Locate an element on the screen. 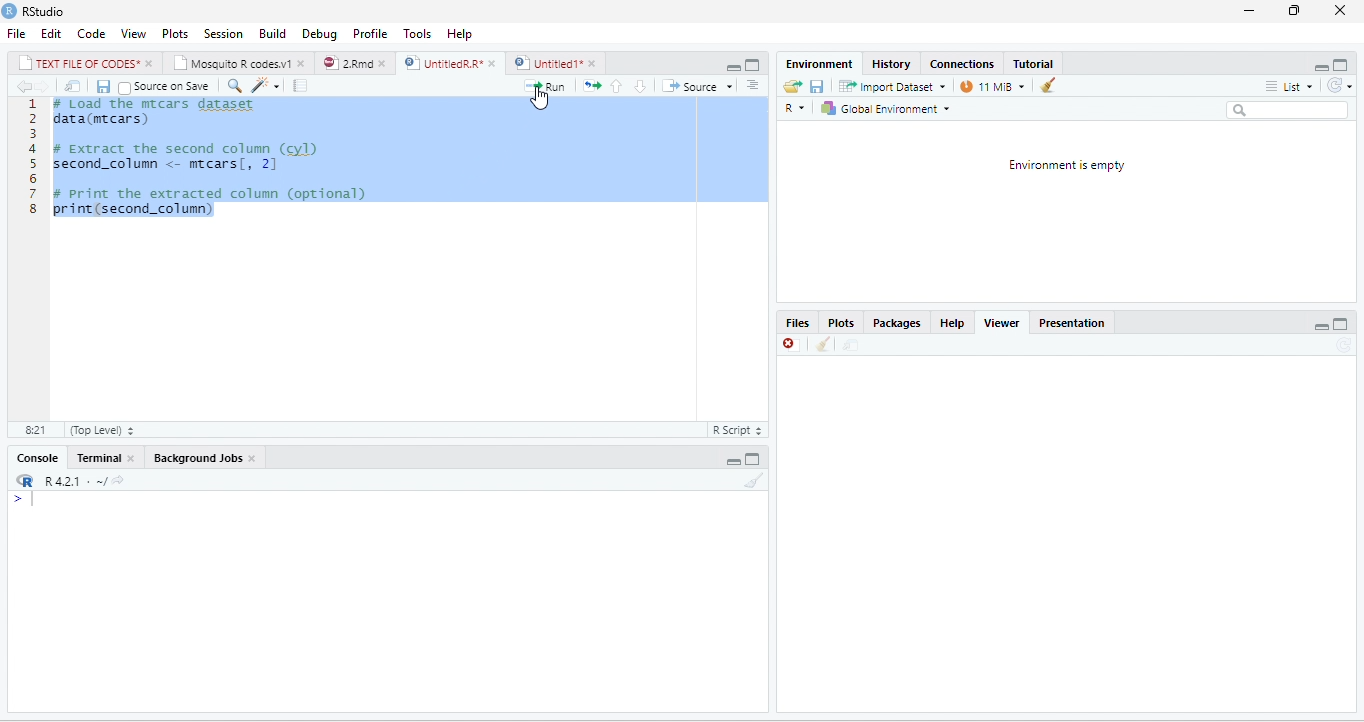  maximize is located at coordinates (1343, 323).